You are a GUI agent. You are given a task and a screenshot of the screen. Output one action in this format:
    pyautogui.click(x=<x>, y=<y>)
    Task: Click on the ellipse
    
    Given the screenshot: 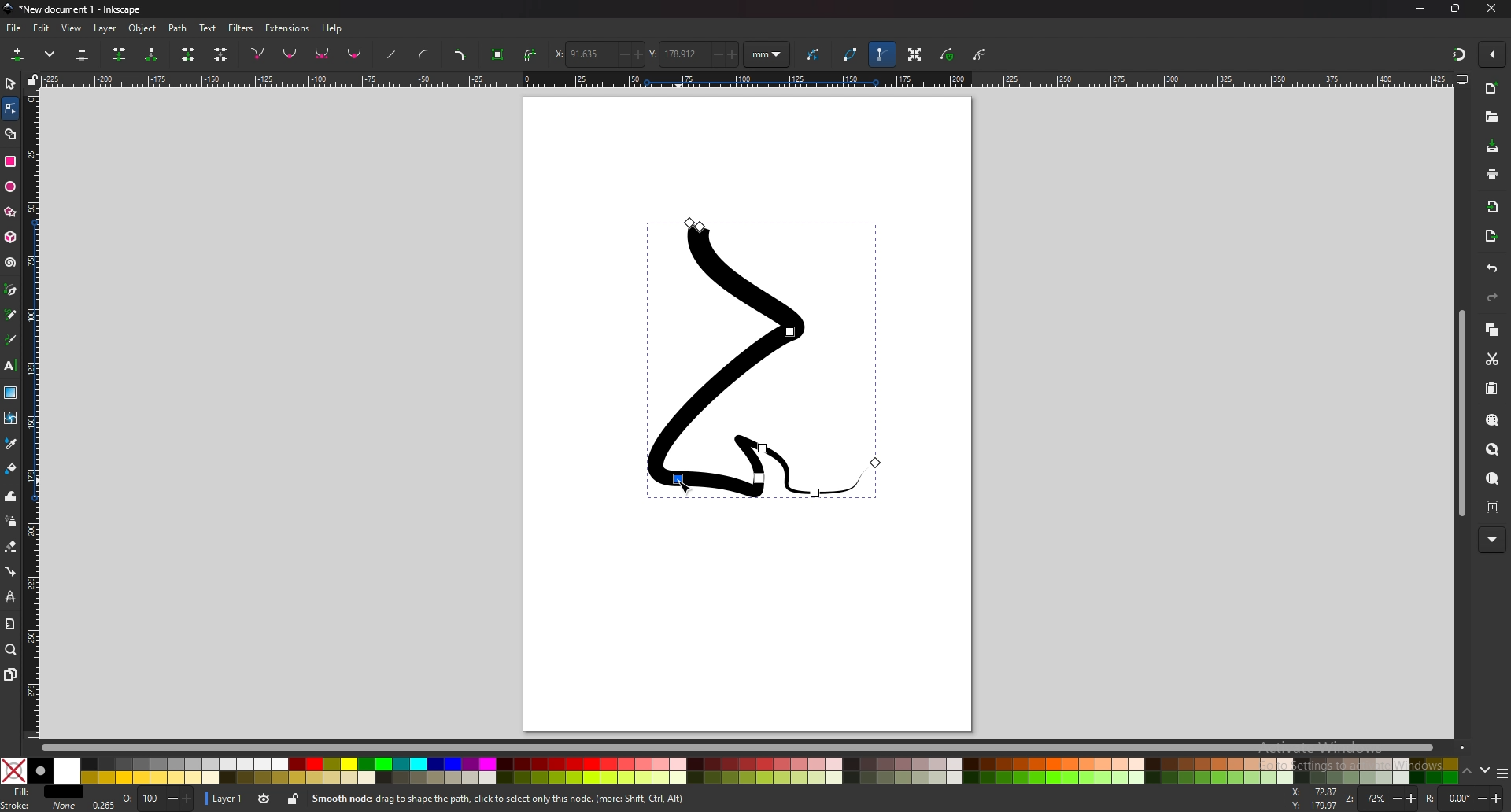 What is the action you would take?
    pyautogui.click(x=9, y=187)
    